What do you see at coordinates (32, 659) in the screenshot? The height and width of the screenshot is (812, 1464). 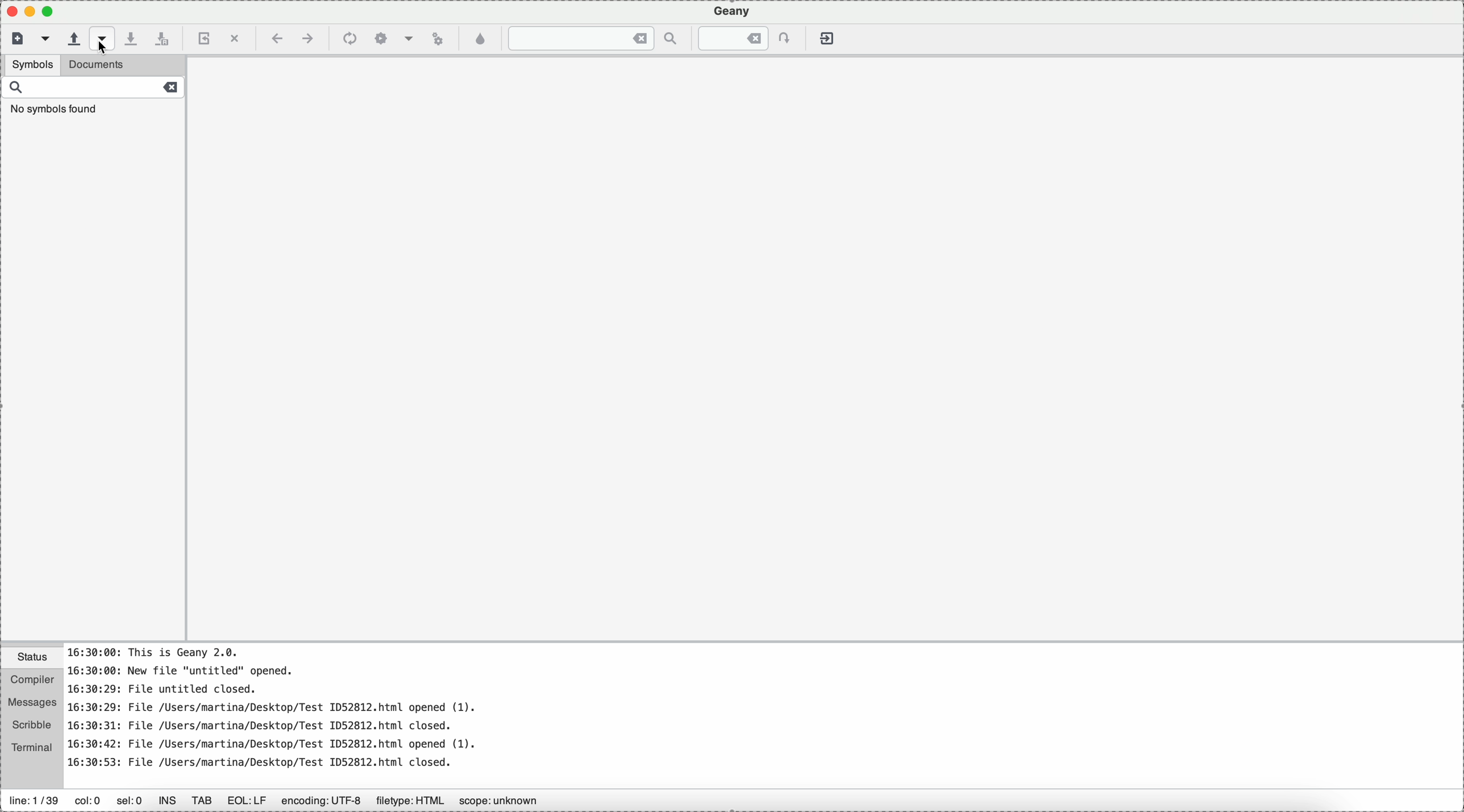 I see `status` at bounding box center [32, 659].